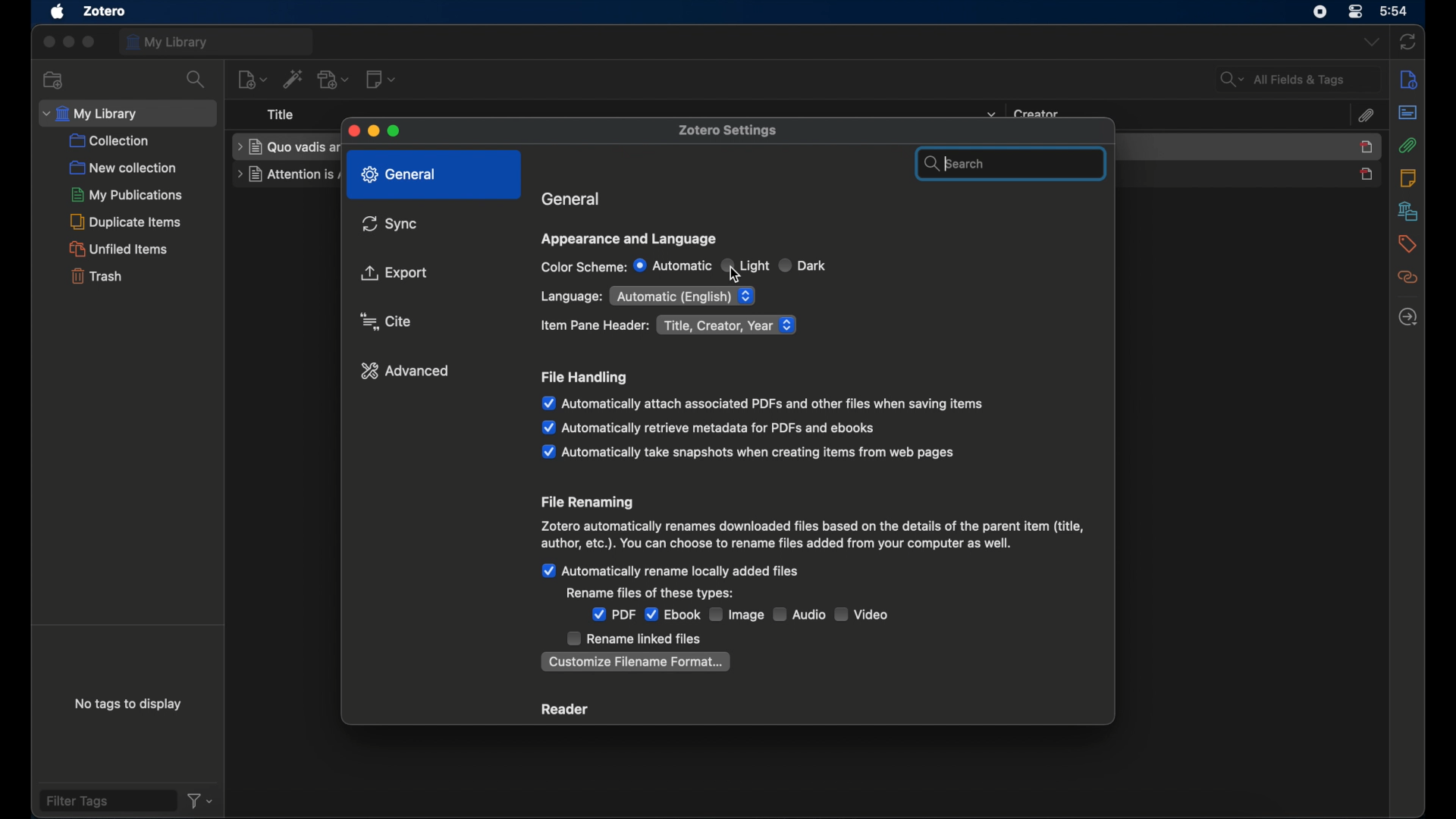 This screenshot has width=1456, height=819. What do you see at coordinates (673, 266) in the screenshot?
I see `automatic radio button` at bounding box center [673, 266].